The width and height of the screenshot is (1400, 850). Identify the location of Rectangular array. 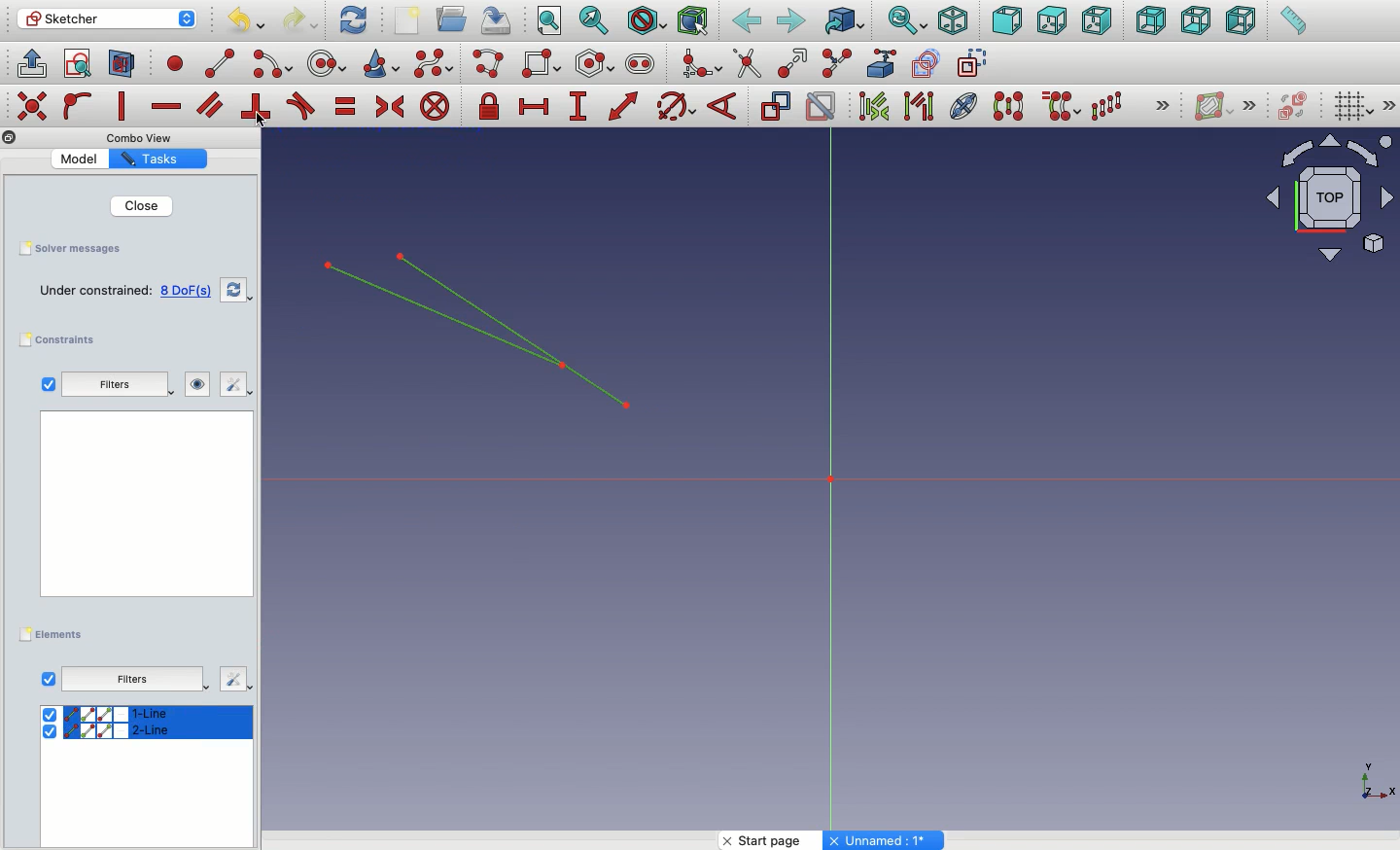
(1108, 105).